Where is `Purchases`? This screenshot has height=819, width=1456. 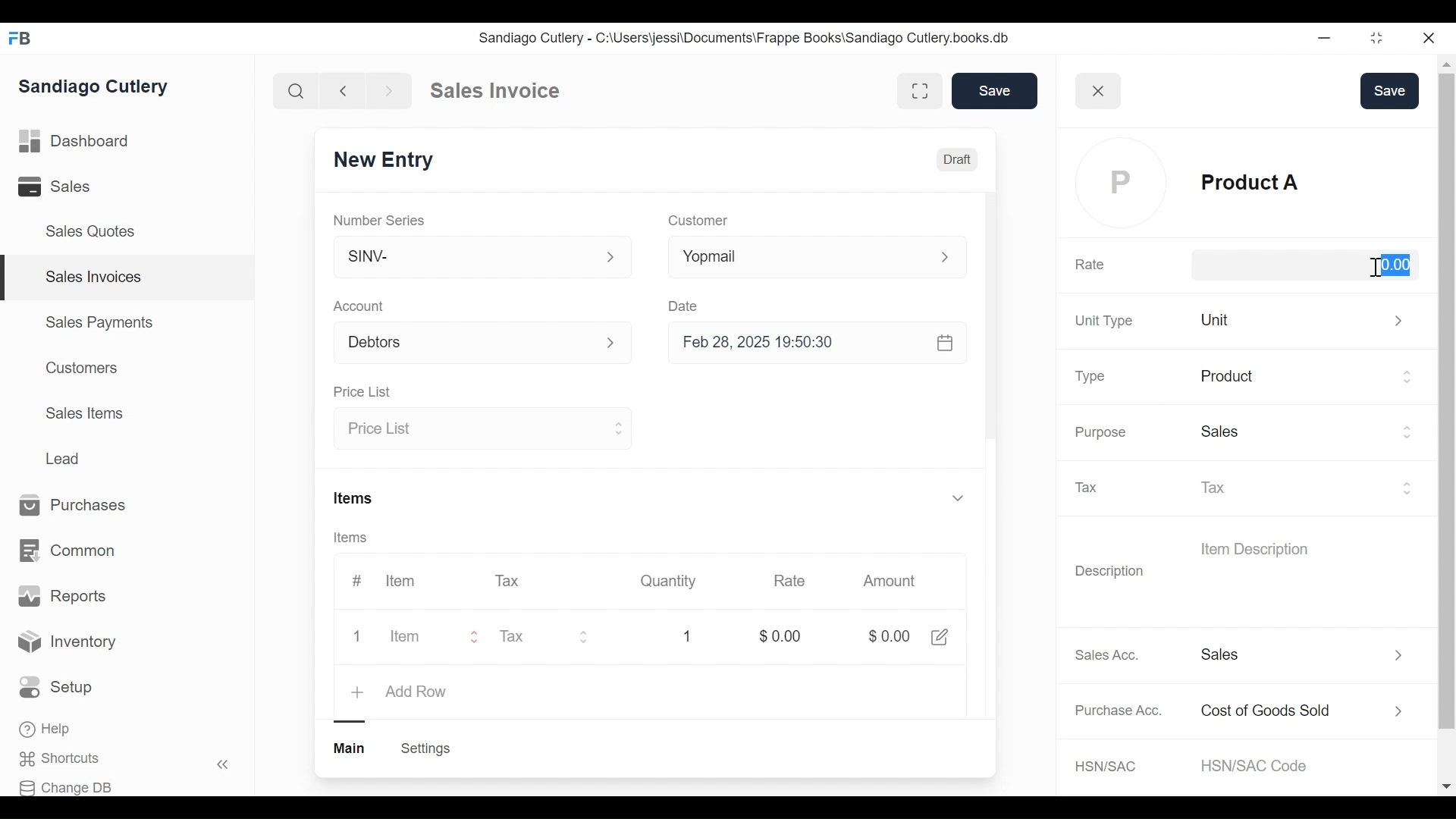 Purchases is located at coordinates (80, 506).